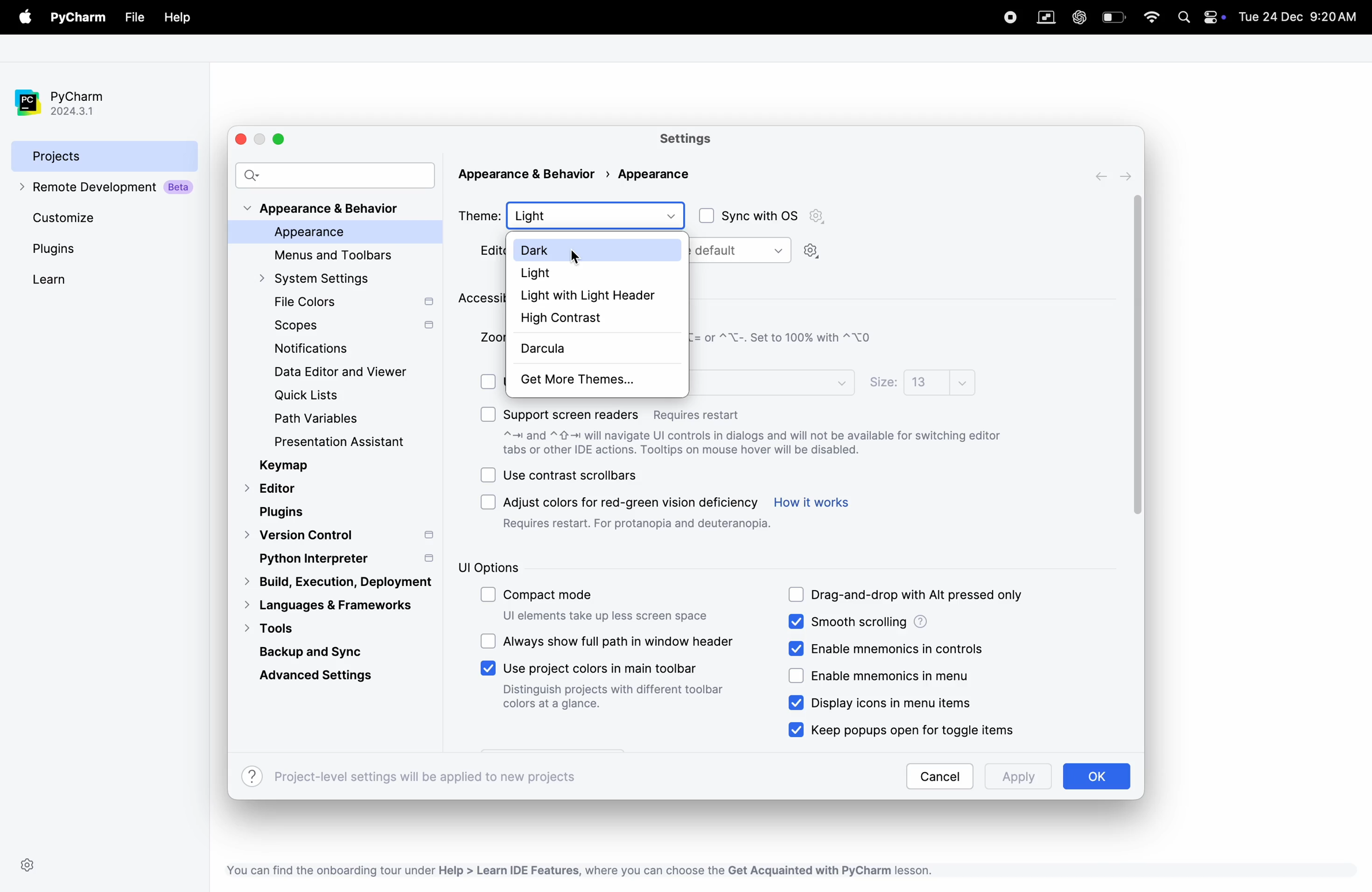 The image size is (1372, 892). What do you see at coordinates (1152, 17) in the screenshot?
I see `wifi` at bounding box center [1152, 17].